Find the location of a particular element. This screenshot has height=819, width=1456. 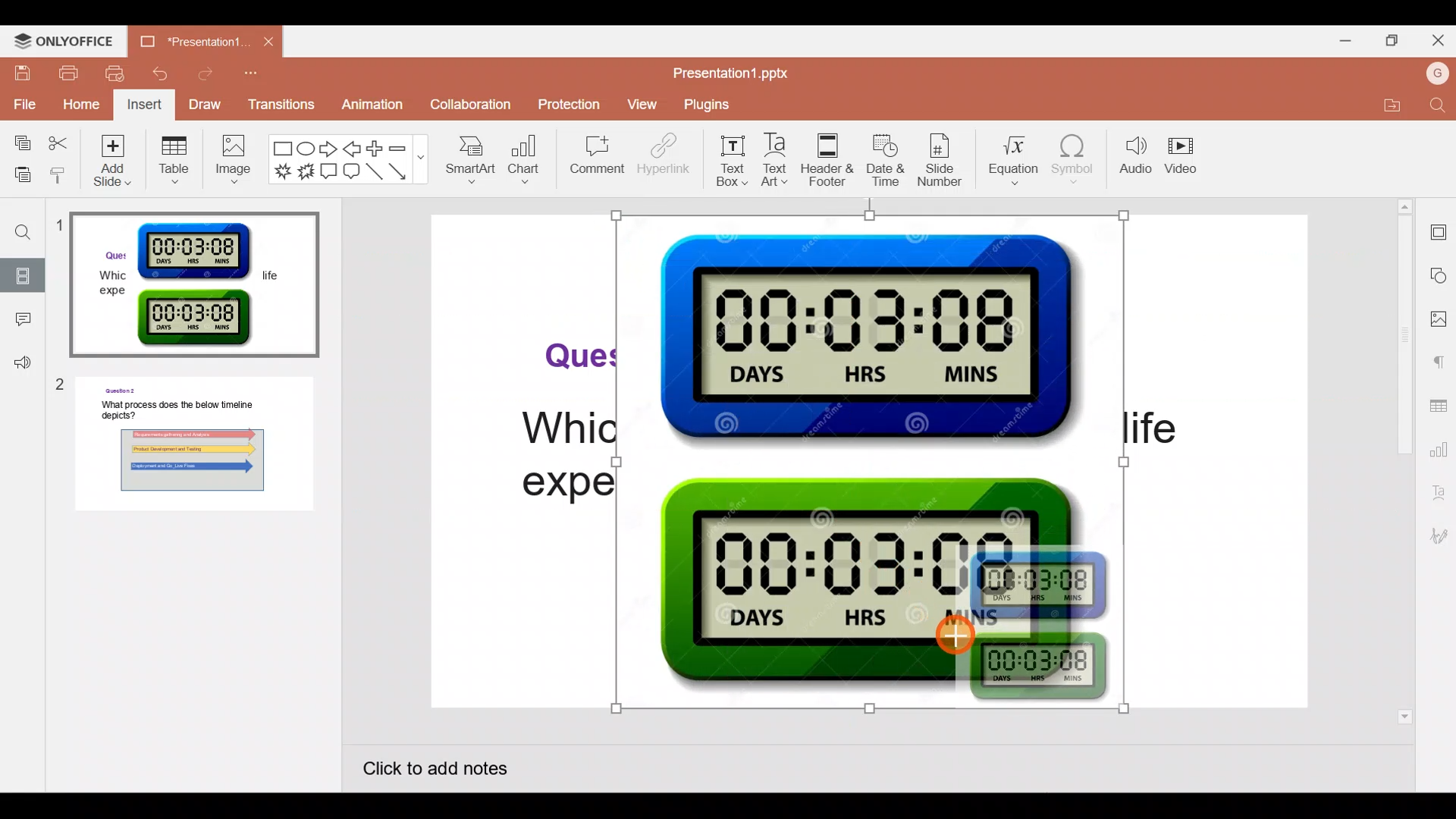

Arrow is located at coordinates (402, 174).